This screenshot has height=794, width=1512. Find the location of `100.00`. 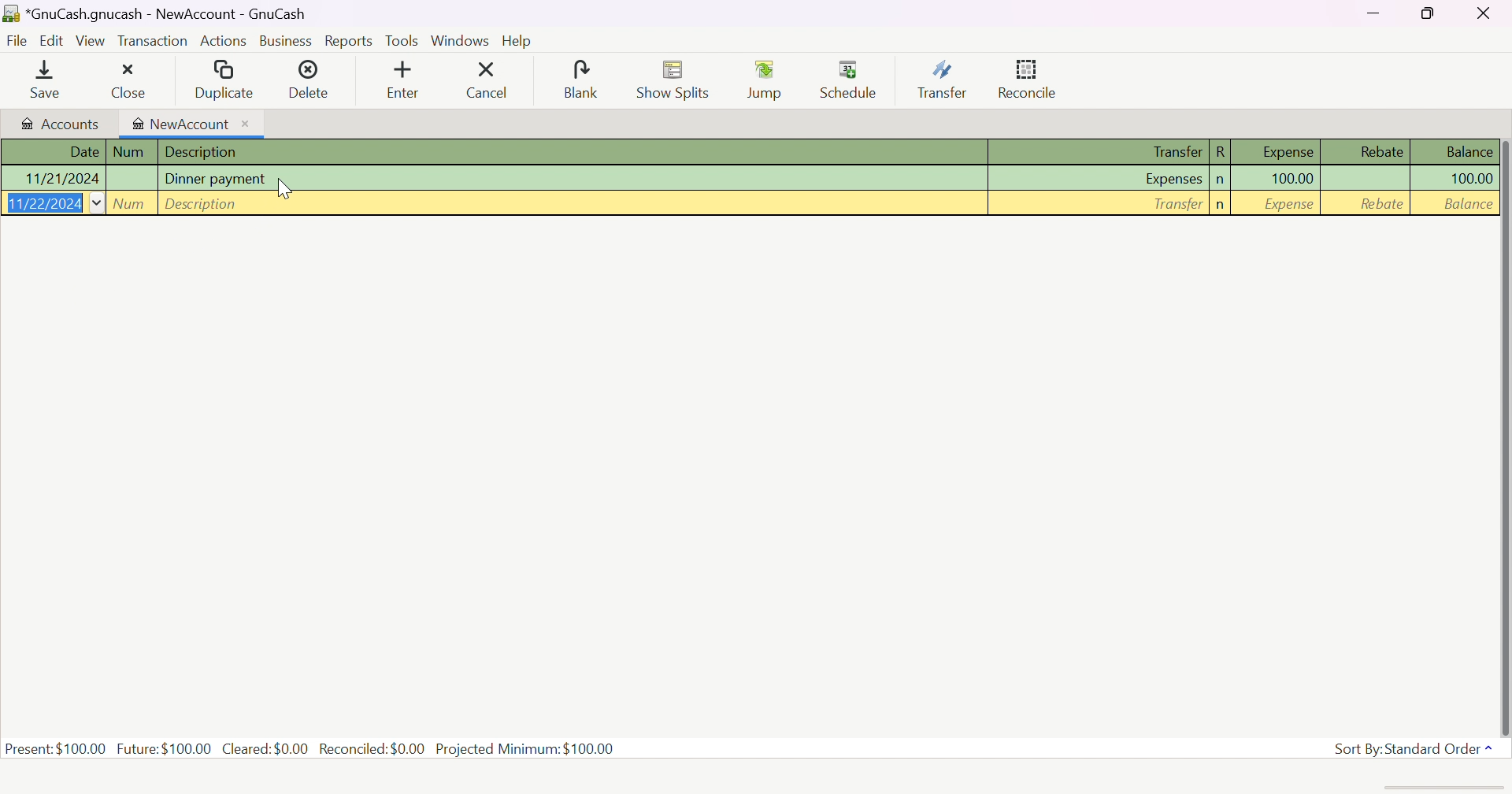

100.00 is located at coordinates (1292, 178).